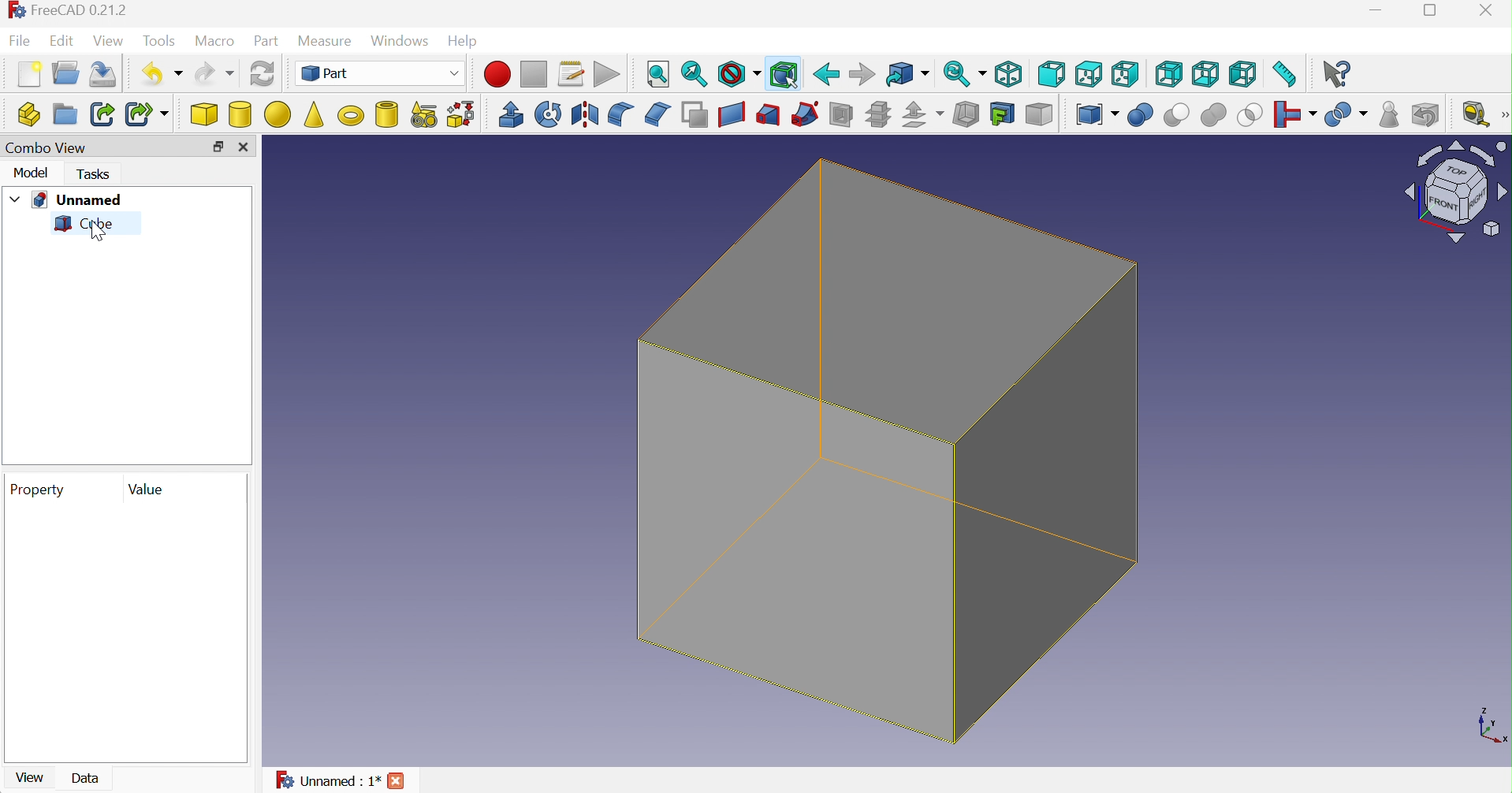 The image size is (1512, 793). What do you see at coordinates (265, 43) in the screenshot?
I see `Part` at bounding box center [265, 43].